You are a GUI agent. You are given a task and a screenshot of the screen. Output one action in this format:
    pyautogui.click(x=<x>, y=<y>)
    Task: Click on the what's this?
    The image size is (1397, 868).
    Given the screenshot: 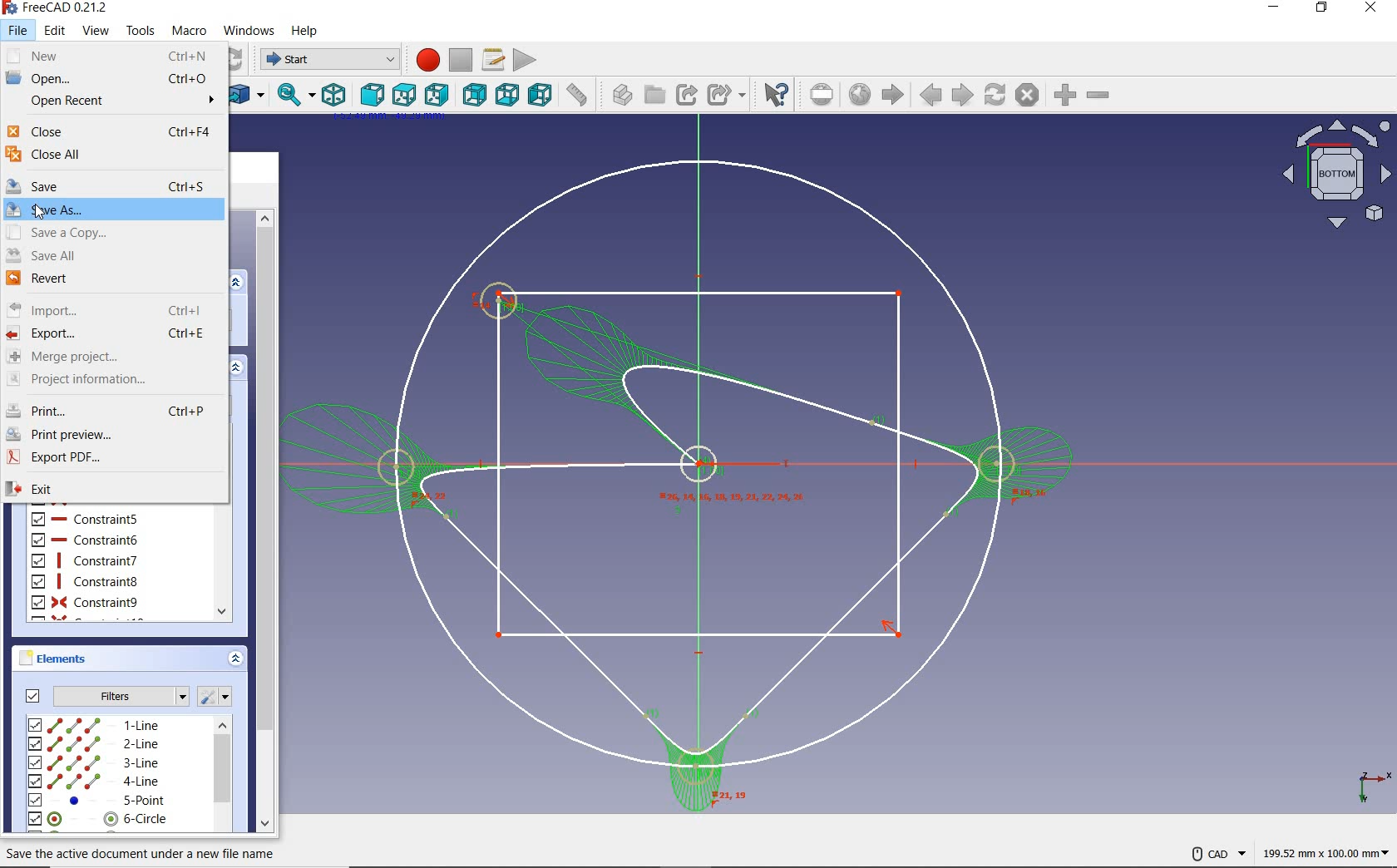 What is the action you would take?
    pyautogui.click(x=775, y=95)
    